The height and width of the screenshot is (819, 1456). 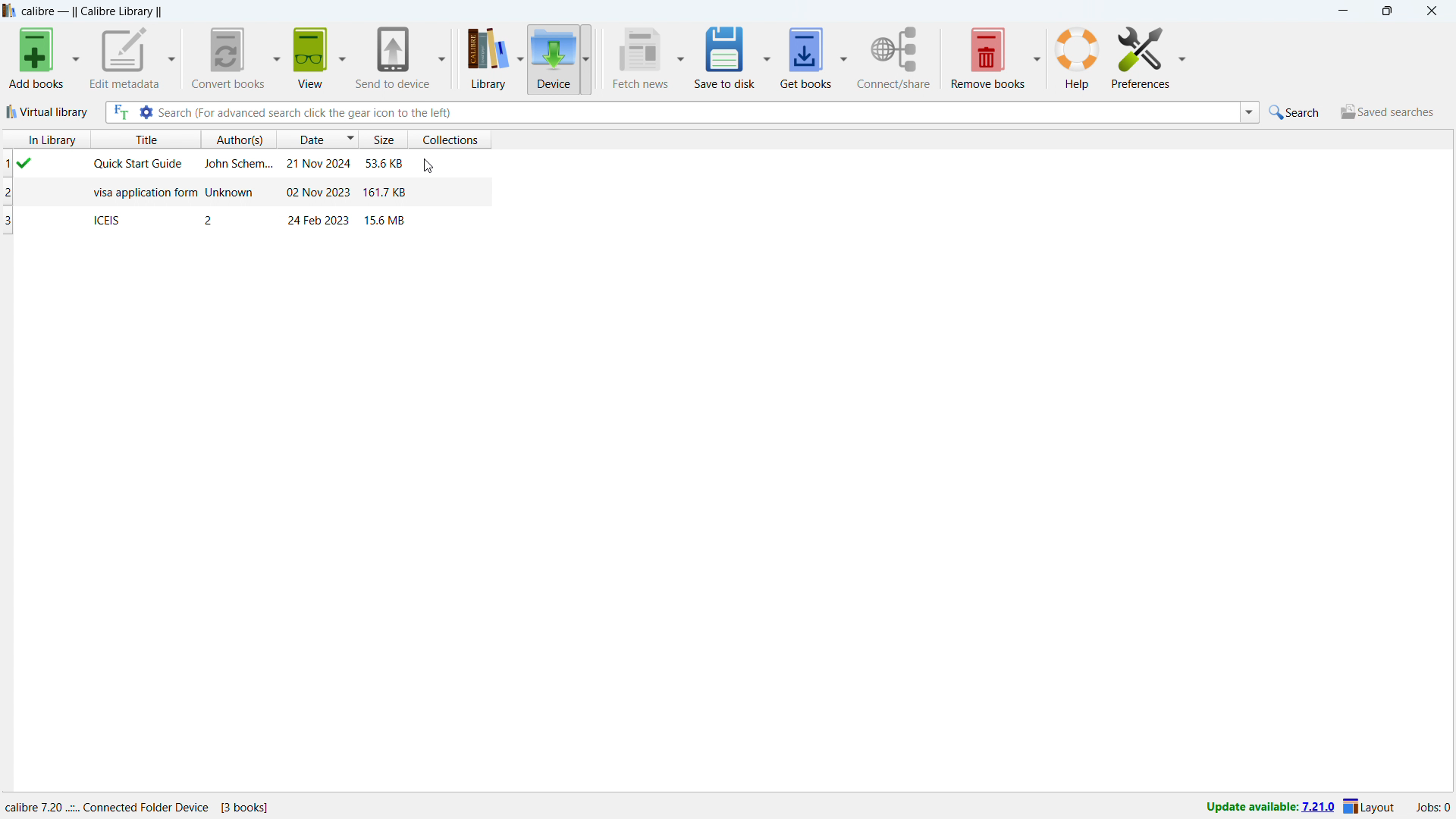 What do you see at coordinates (1432, 809) in the screenshot?
I see `active jobs` at bounding box center [1432, 809].